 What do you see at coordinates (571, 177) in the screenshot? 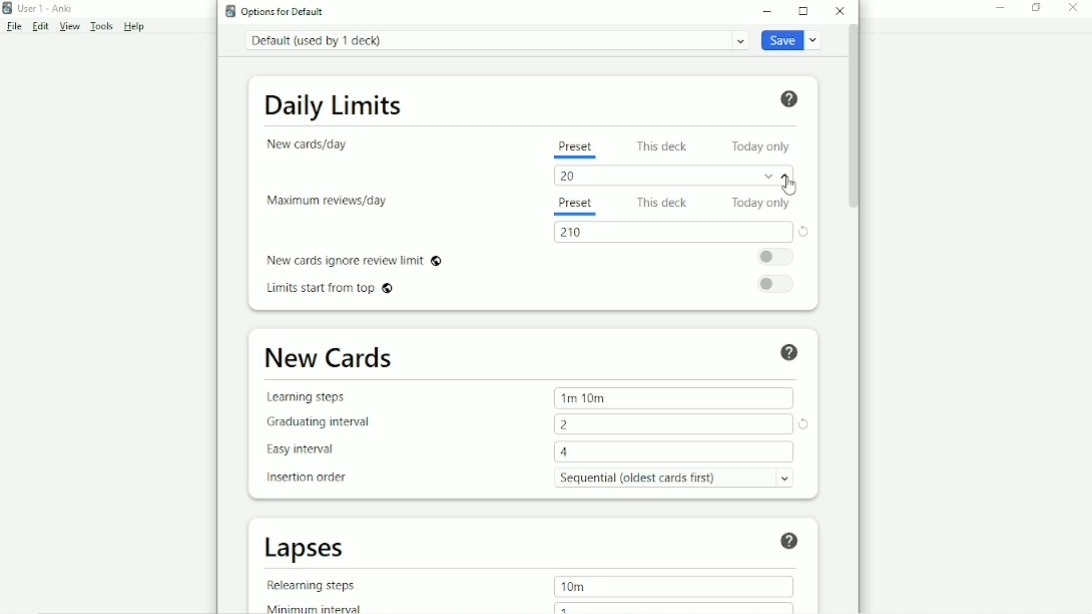
I see `20` at bounding box center [571, 177].